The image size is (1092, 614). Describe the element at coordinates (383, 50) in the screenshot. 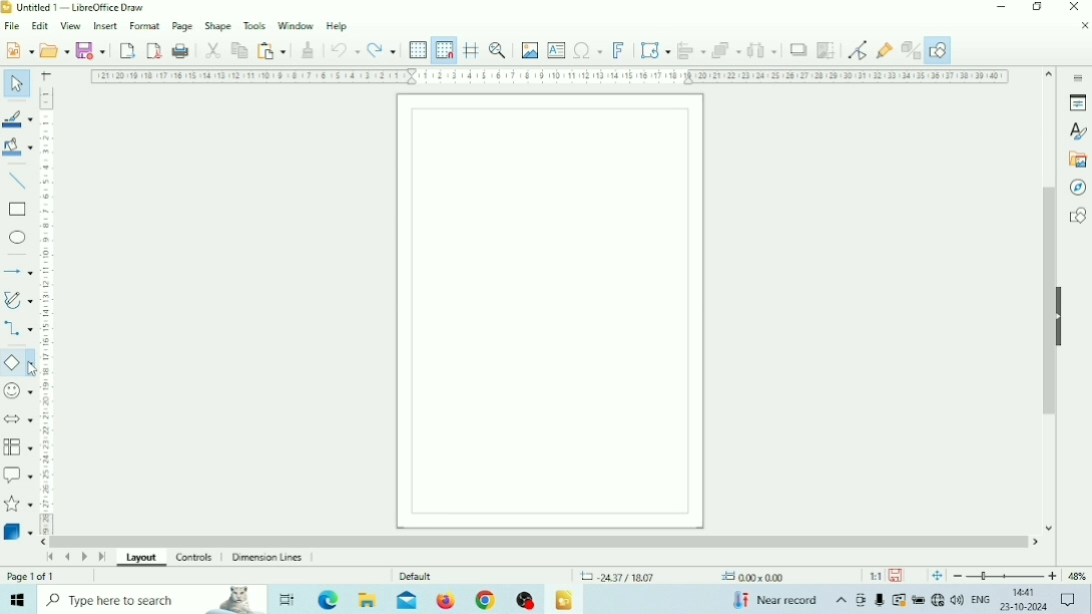

I see `Redo` at that location.